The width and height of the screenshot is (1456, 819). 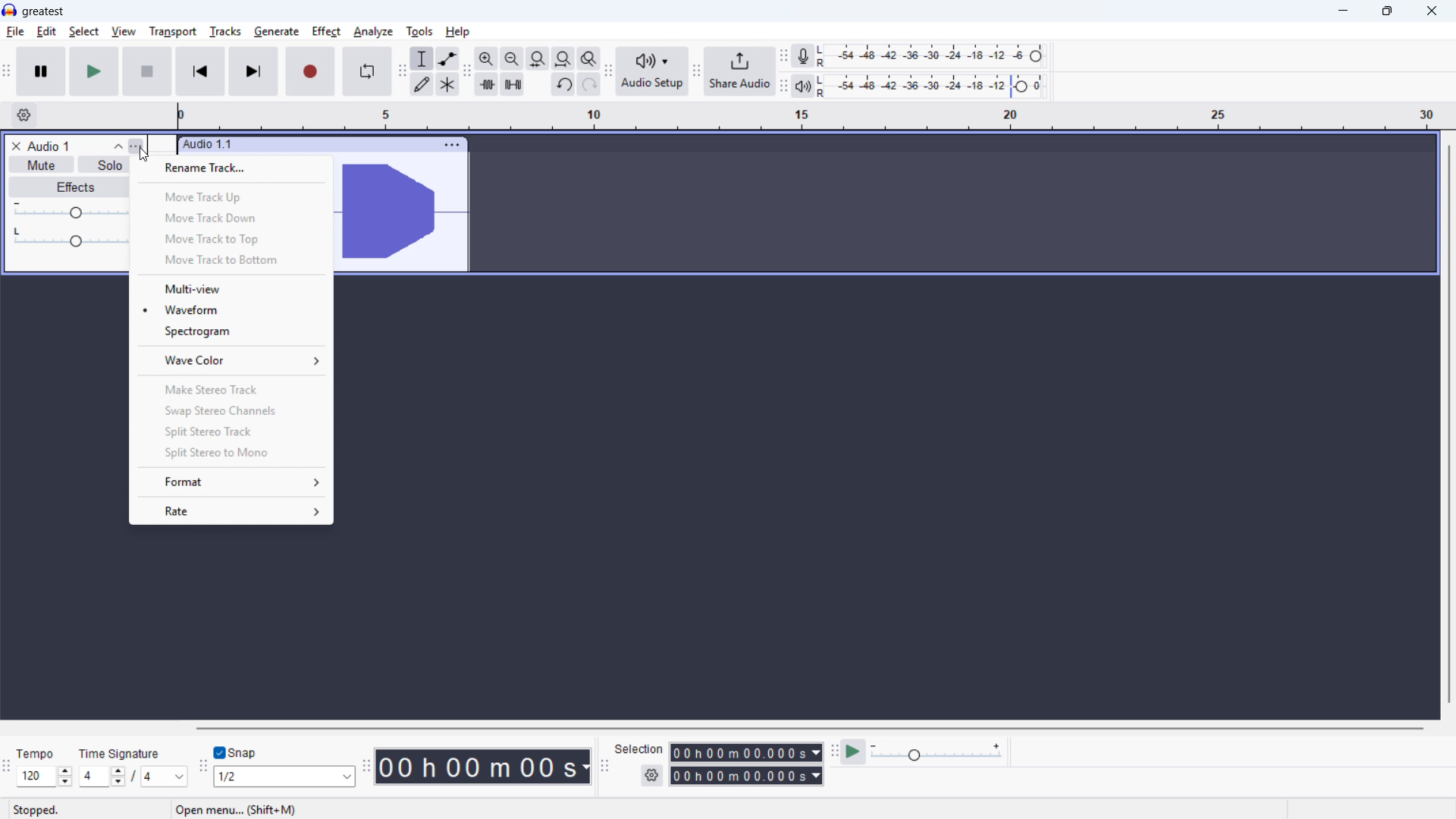 What do you see at coordinates (6, 73) in the screenshot?
I see `Transport toolbar ` at bounding box center [6, 73].